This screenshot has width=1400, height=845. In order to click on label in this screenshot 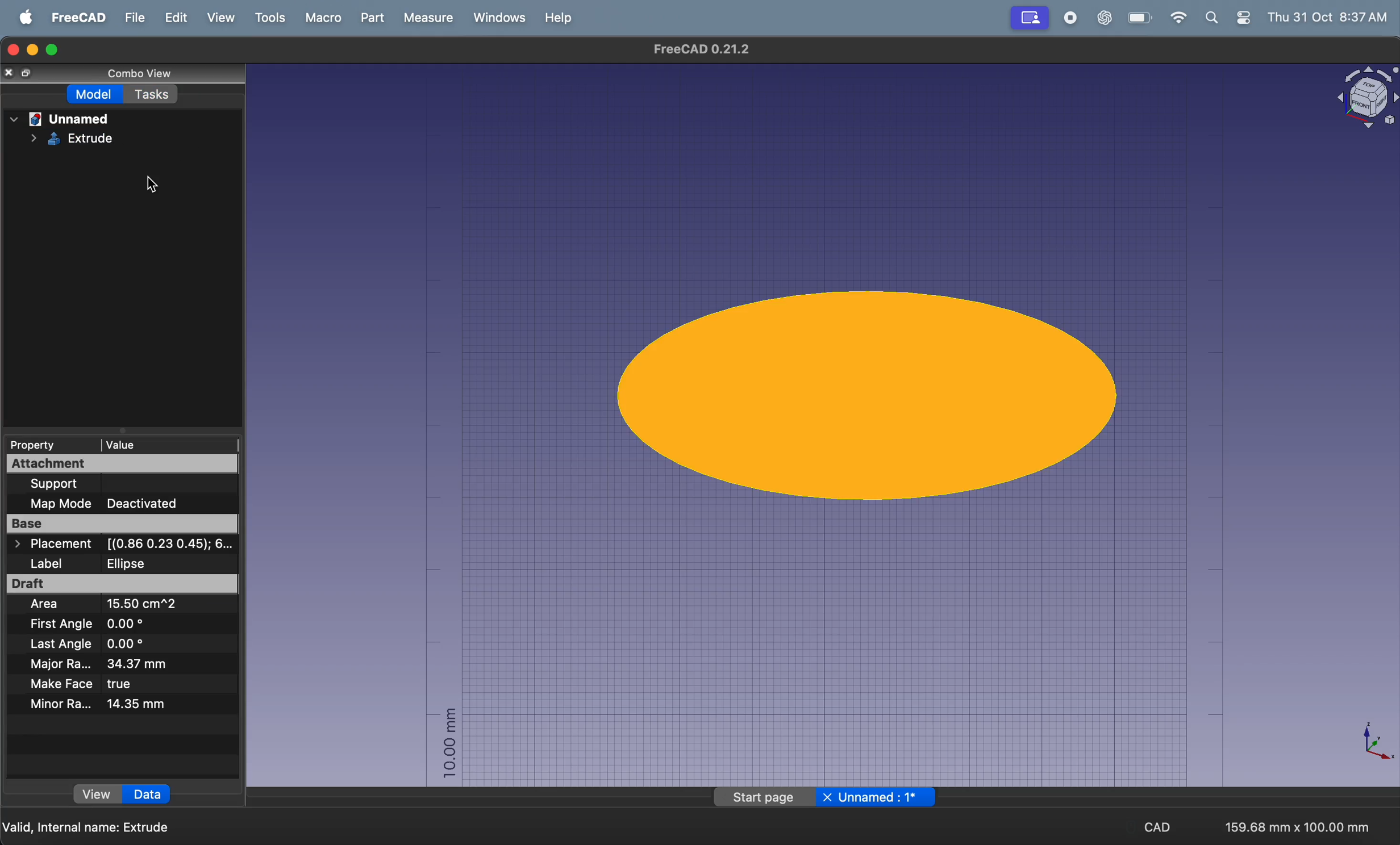, I will do `click(120, 562)`.